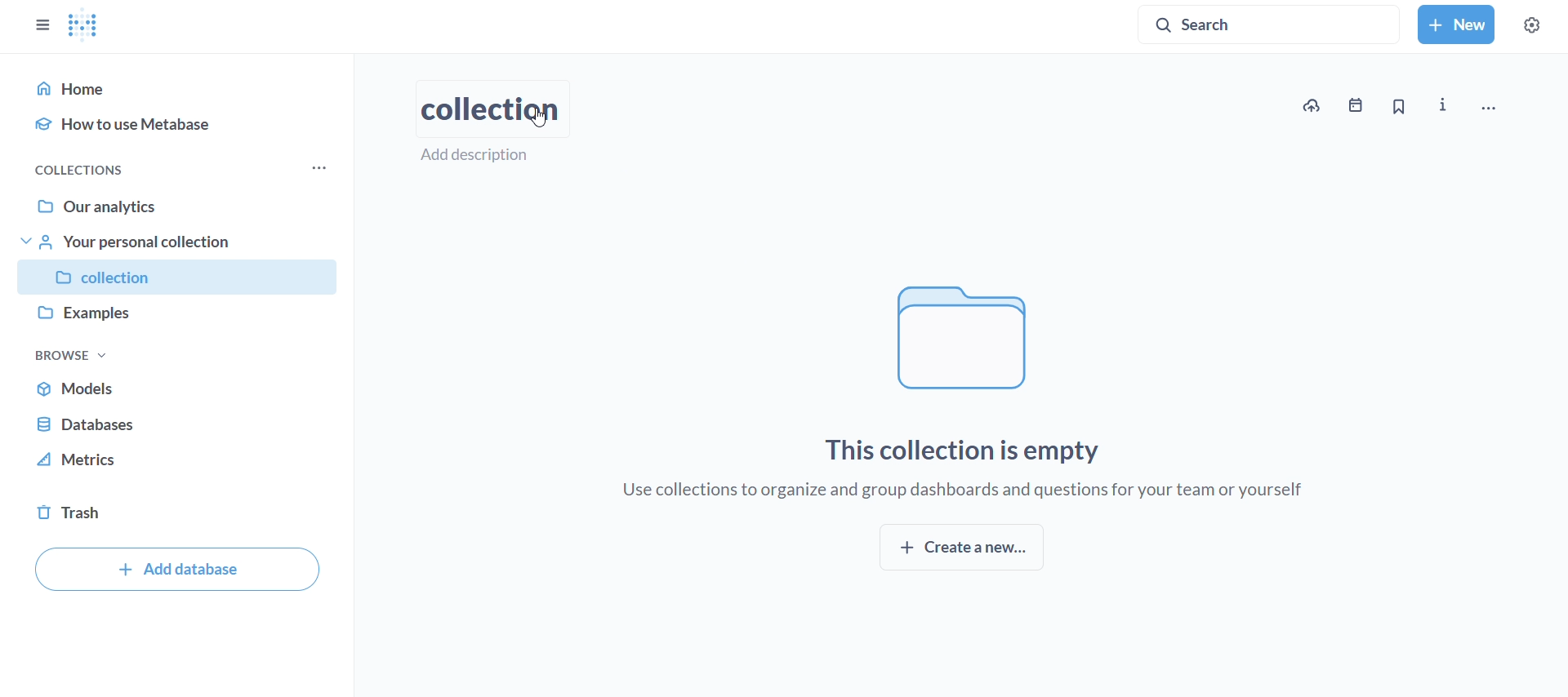  What do you see at coordinates (181, 242) in the screenshot?
I see `your personal collection` at bounding box center [181, 242].